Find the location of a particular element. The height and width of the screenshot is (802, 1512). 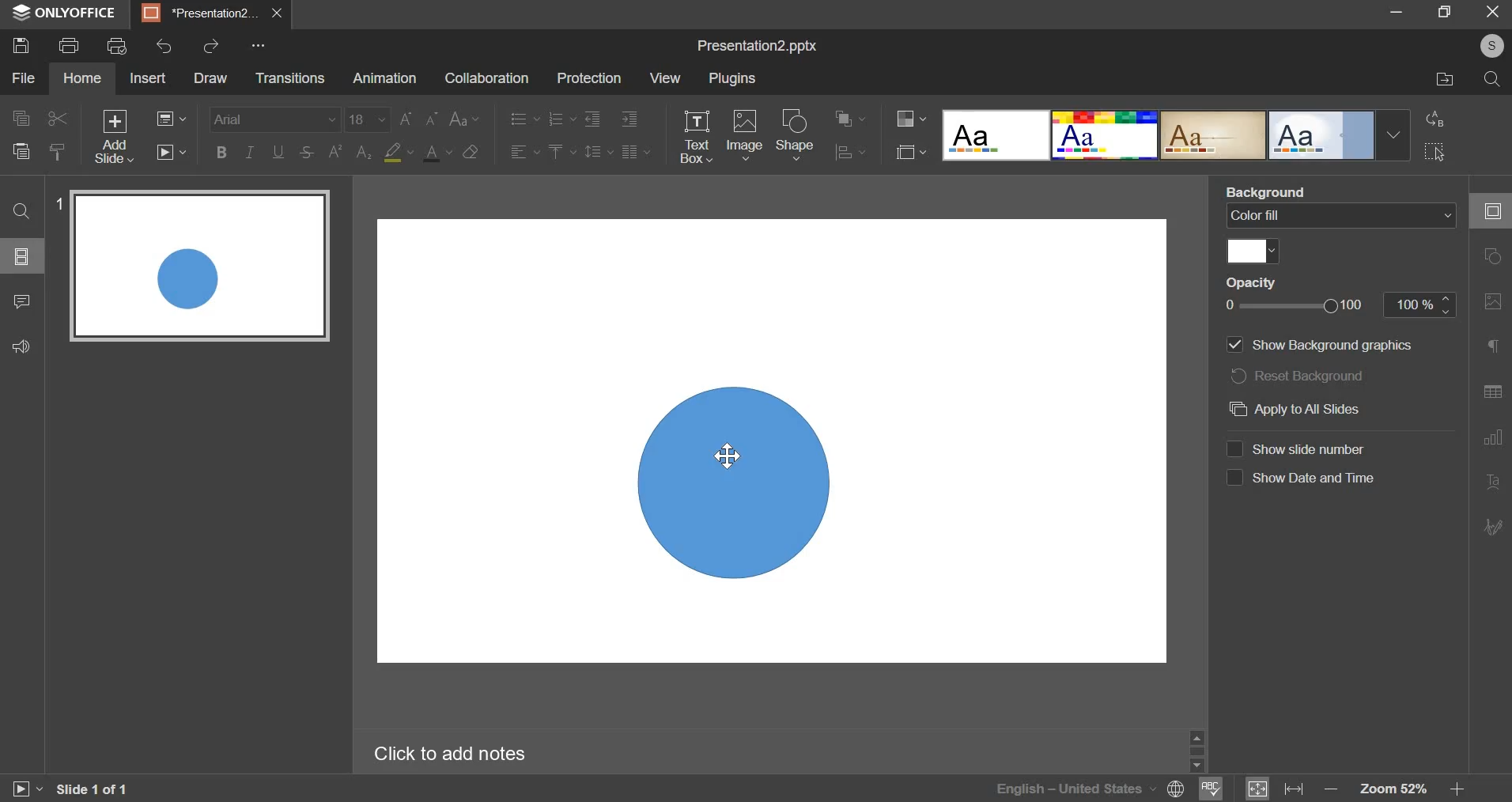

print is located at coordinates (70, 44).